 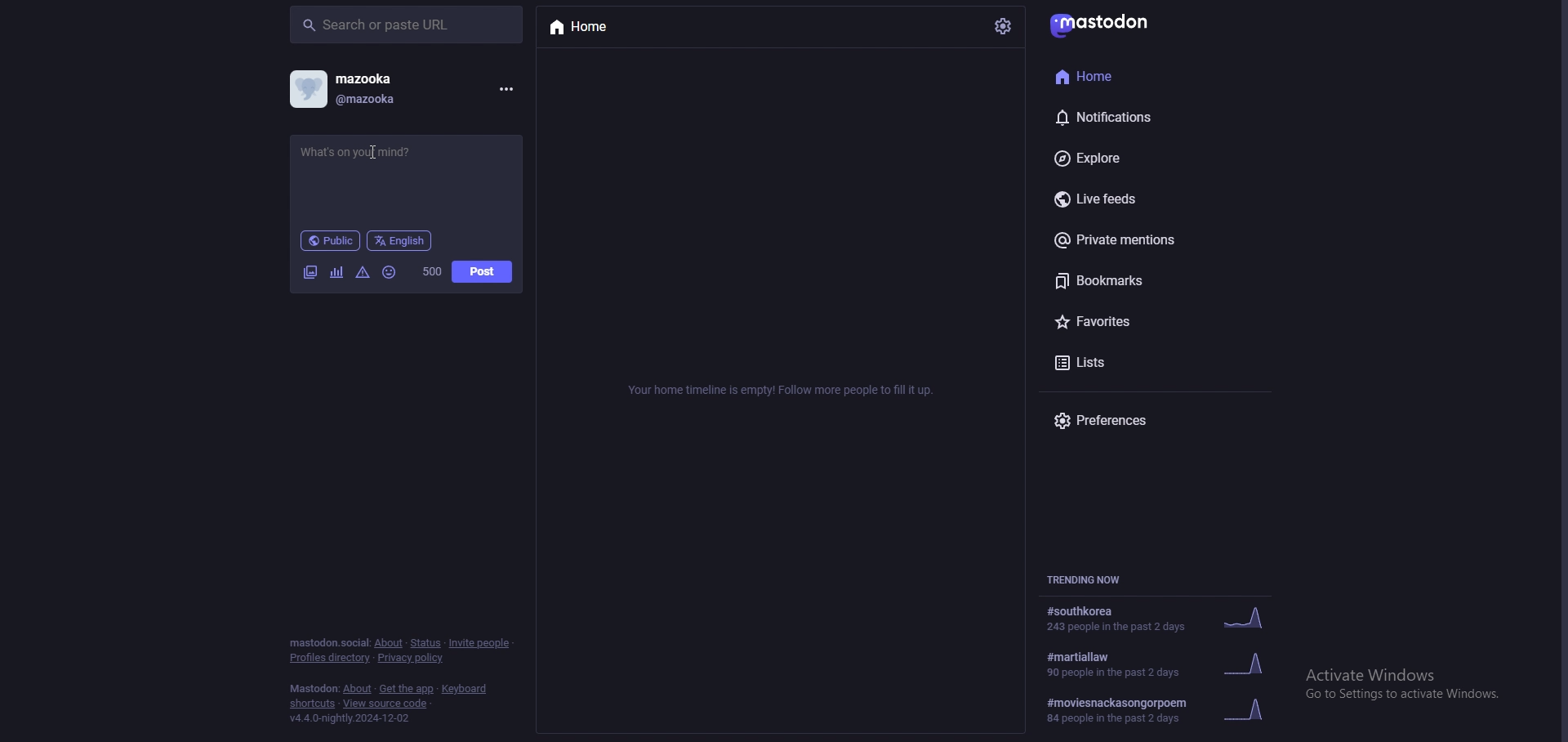 I want to click on status, so click(x=1147, y=1773).